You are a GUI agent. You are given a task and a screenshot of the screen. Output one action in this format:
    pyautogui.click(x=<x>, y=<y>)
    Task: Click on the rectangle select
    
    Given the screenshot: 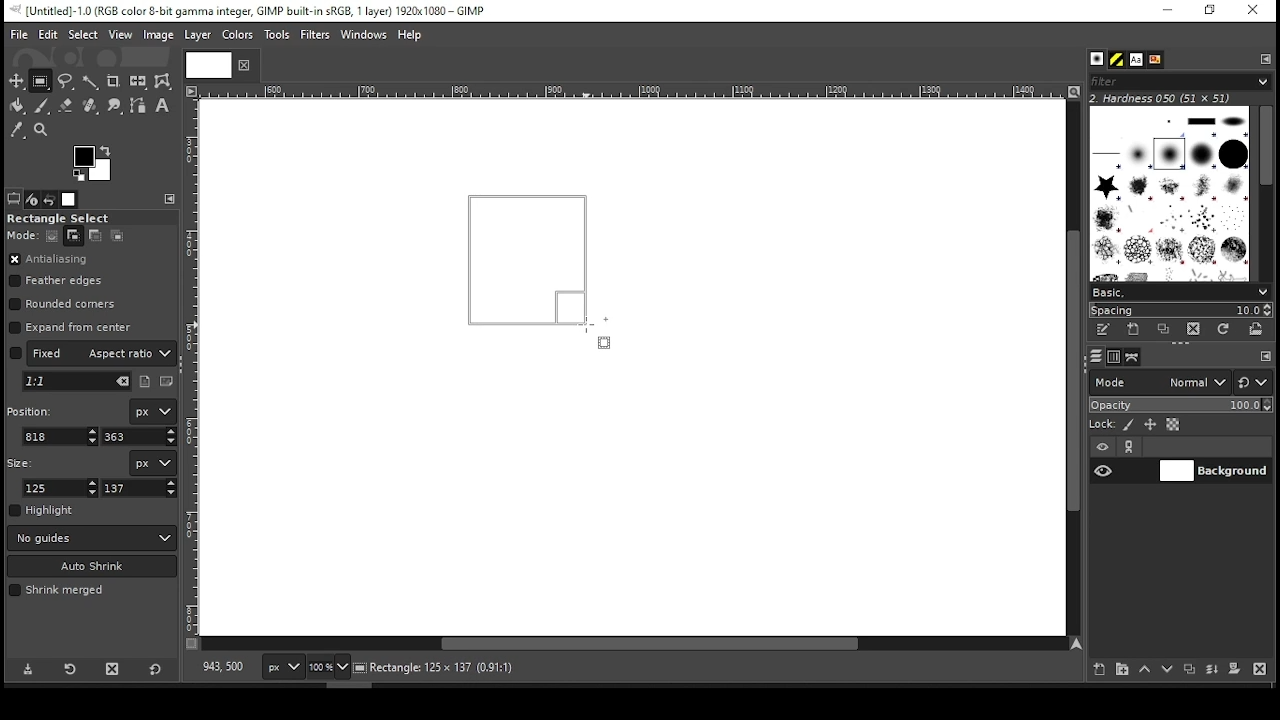 What is the action you would take?
    pyautogui.click(x=75, y=218)
    